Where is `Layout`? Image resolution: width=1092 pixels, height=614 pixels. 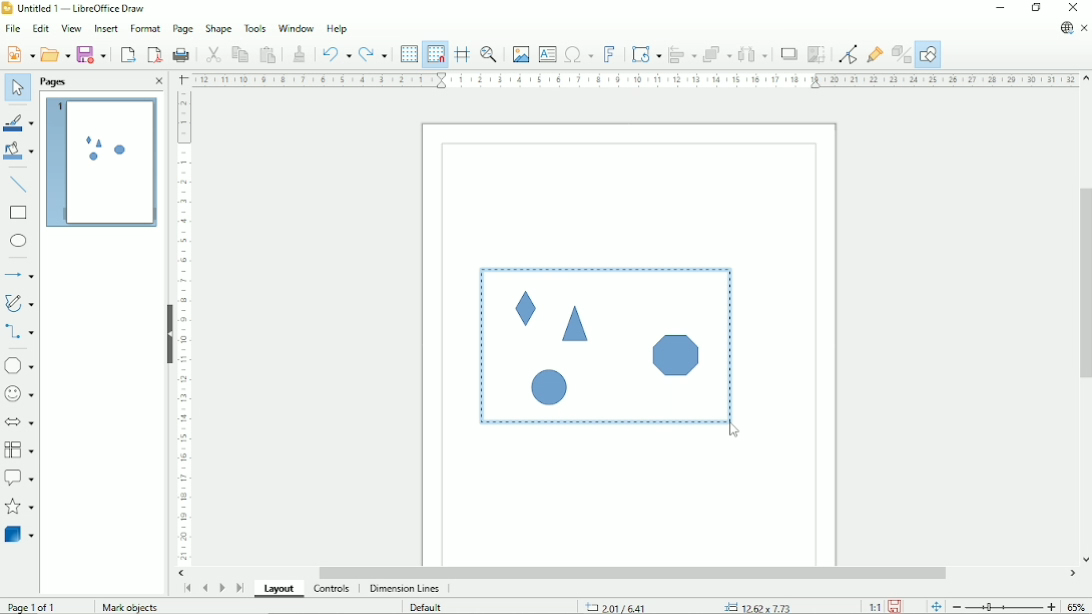 Layout is located at coordinates (279, 588).